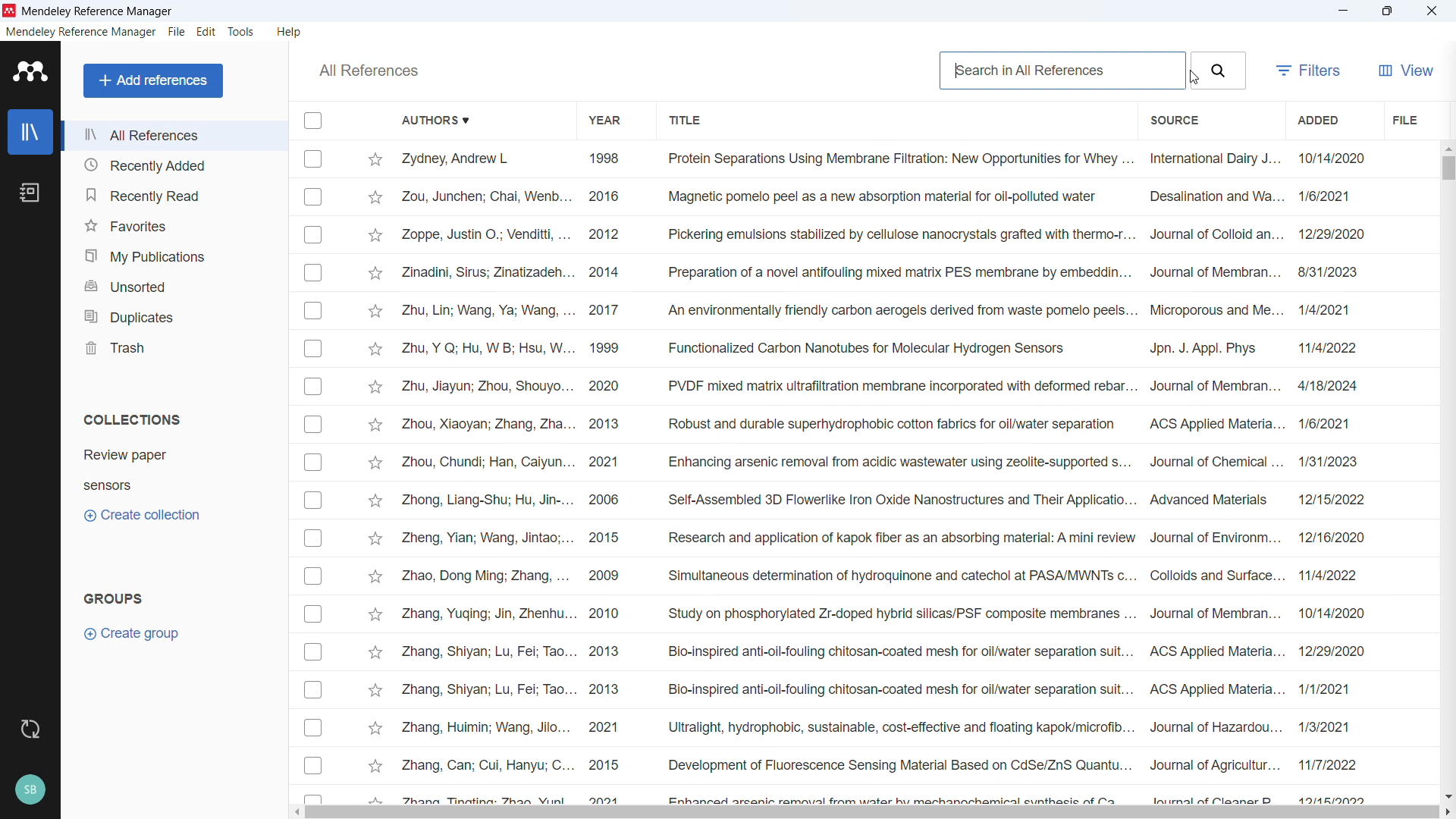  I want to click on Scroll up , so click(1447, 147).